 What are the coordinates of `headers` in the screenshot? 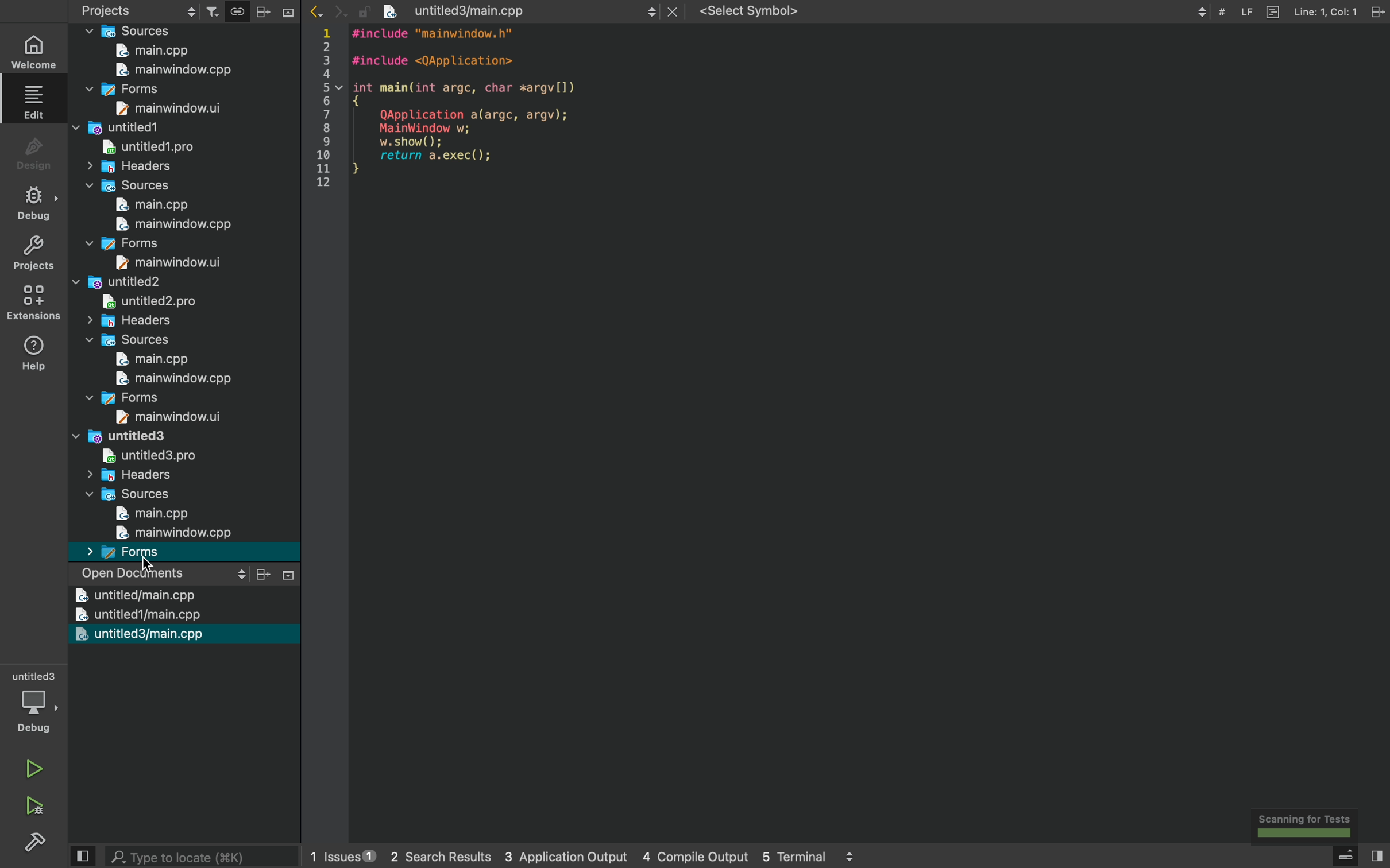 It's located at (125, 476).